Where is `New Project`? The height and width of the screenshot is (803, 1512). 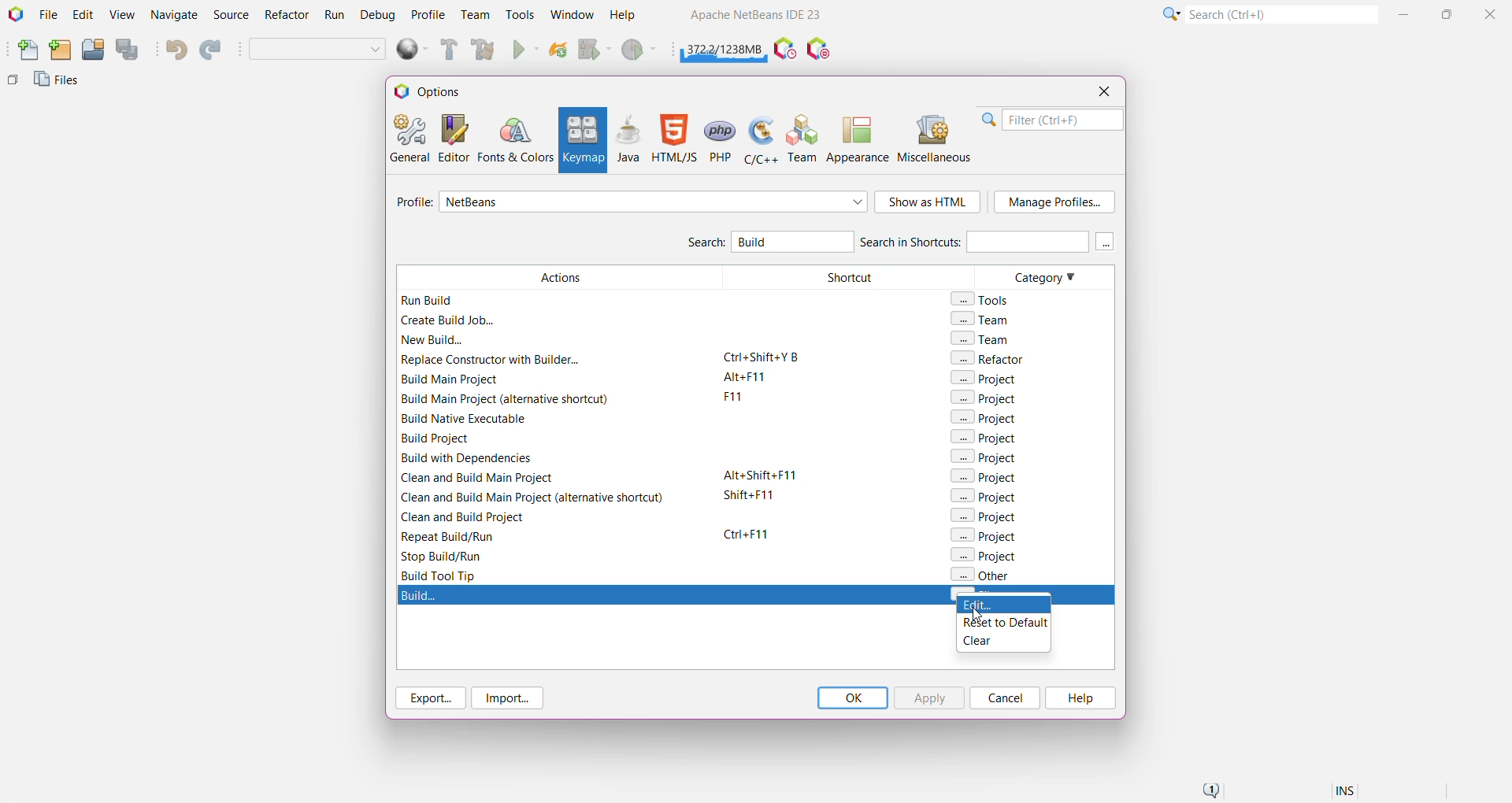
New Project is located at coordinates (60, 50).